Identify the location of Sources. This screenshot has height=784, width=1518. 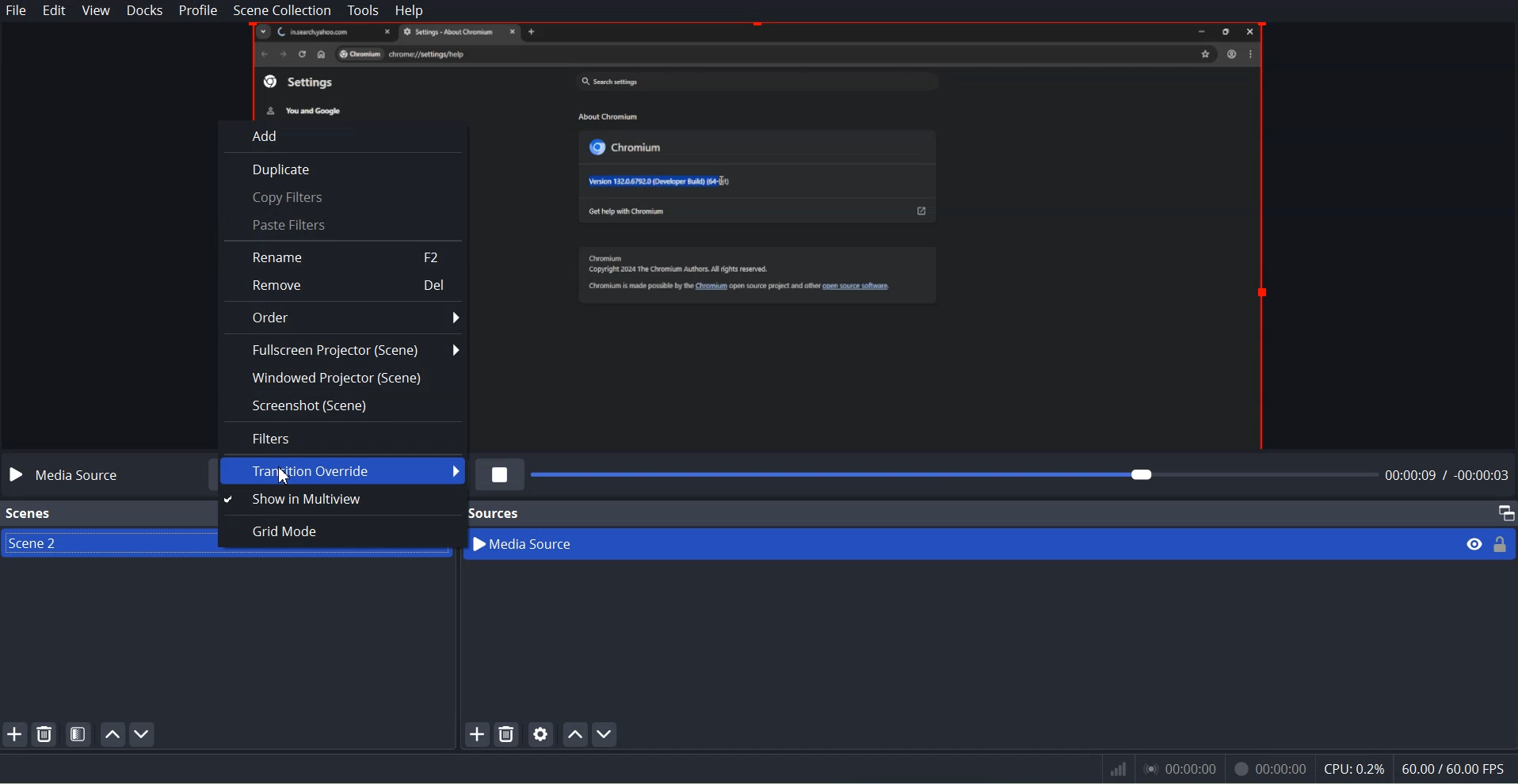
(496, 511).